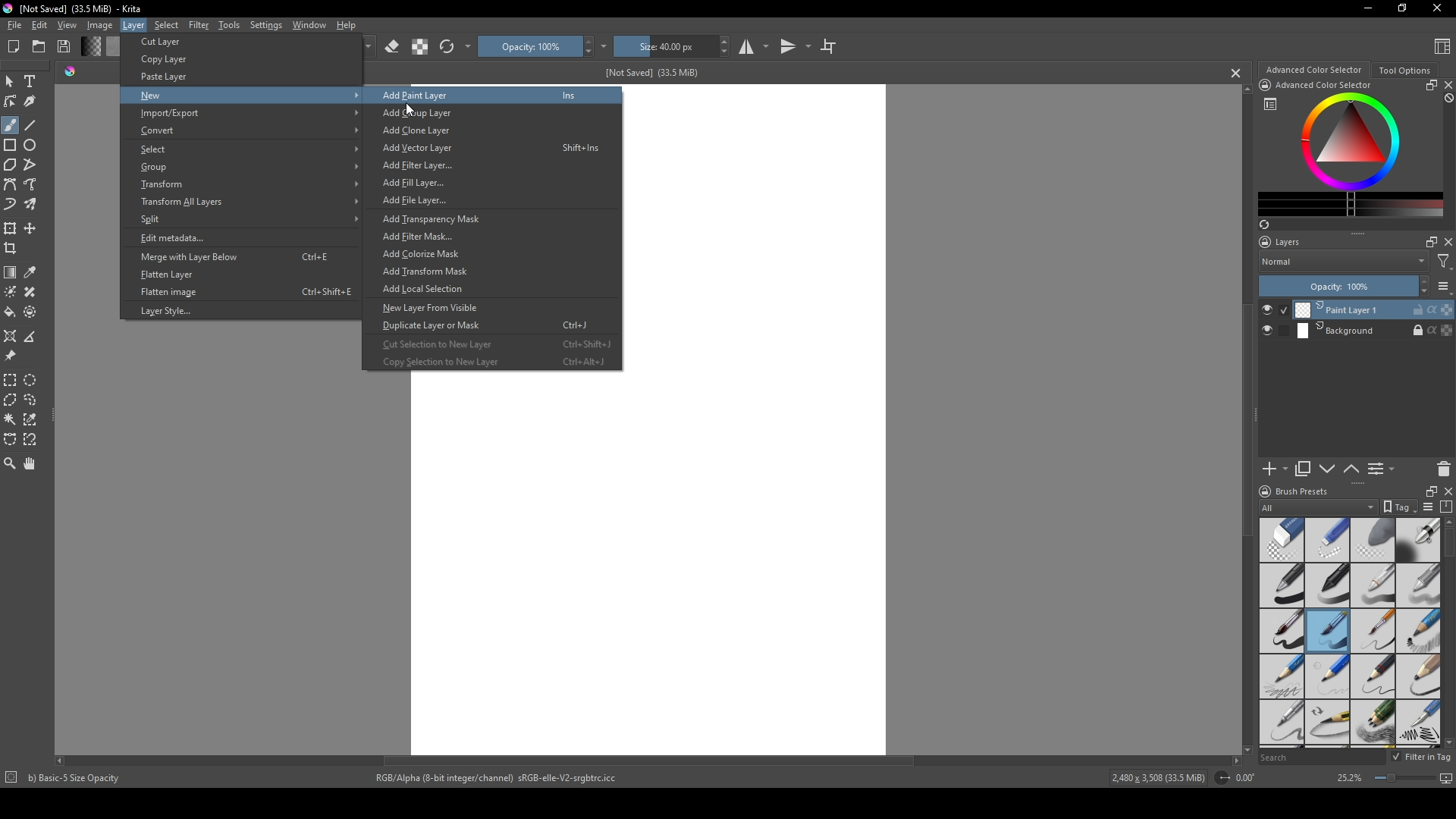 Image resolution: width=1456 pixels, height=819 pixels. Describe the element at coordinates (10, 463) in the screenshot. I see `zoom` at that location.